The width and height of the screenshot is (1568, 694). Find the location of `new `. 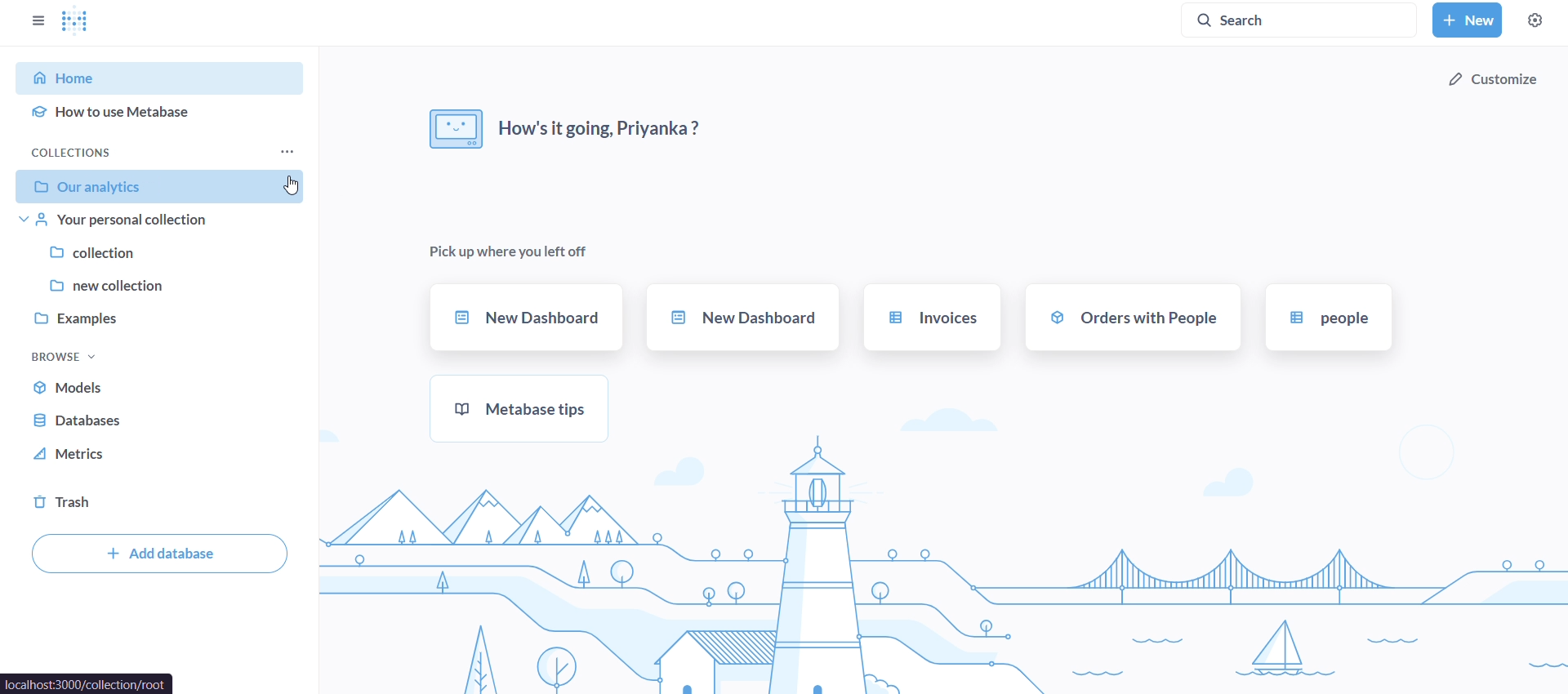

new  is located at coordinates (1466, 20).